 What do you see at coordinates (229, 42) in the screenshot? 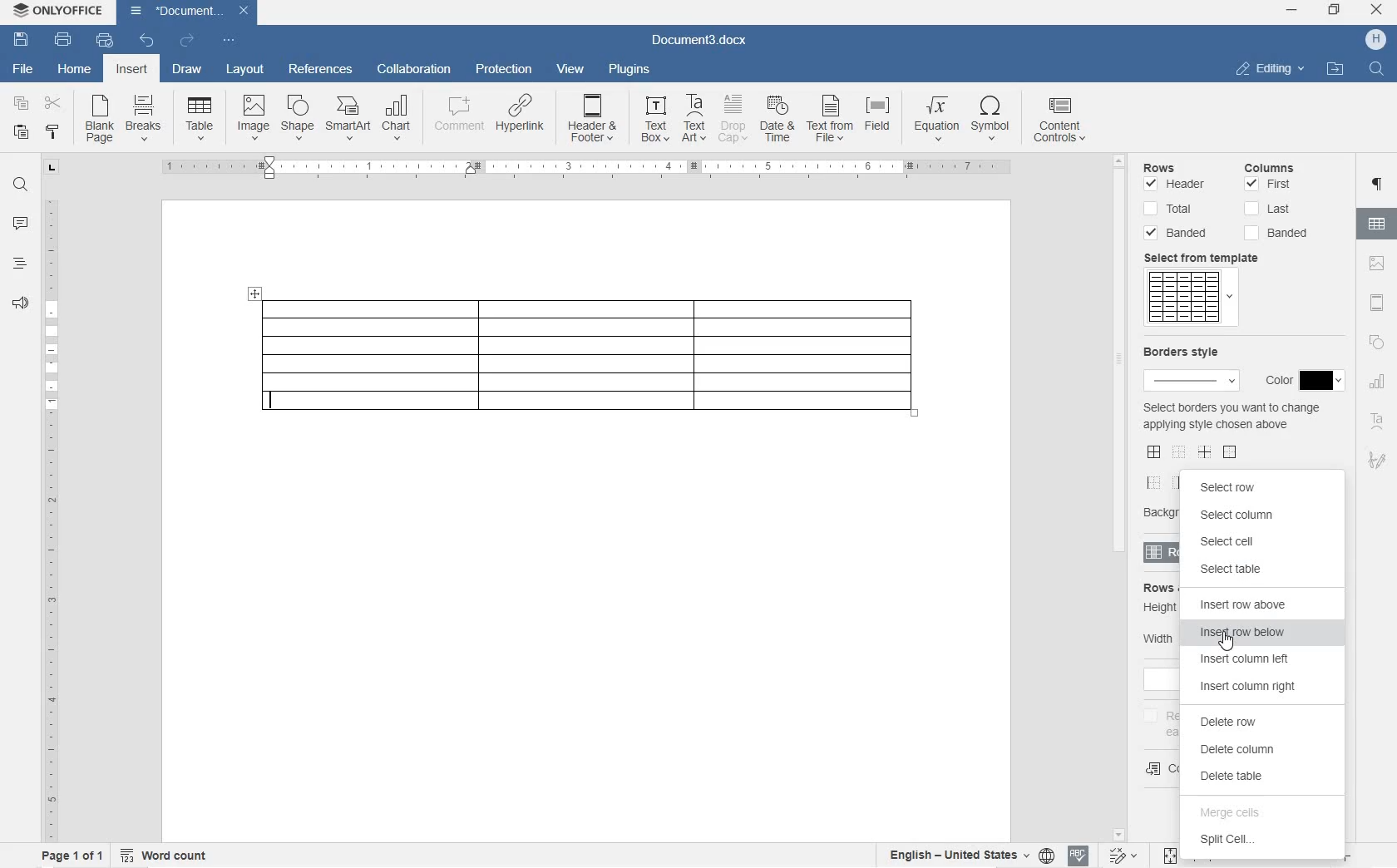
I see `CUSTOMIZE QUICK ACCESS TOOLBAR` at bounding box center [229, 42].